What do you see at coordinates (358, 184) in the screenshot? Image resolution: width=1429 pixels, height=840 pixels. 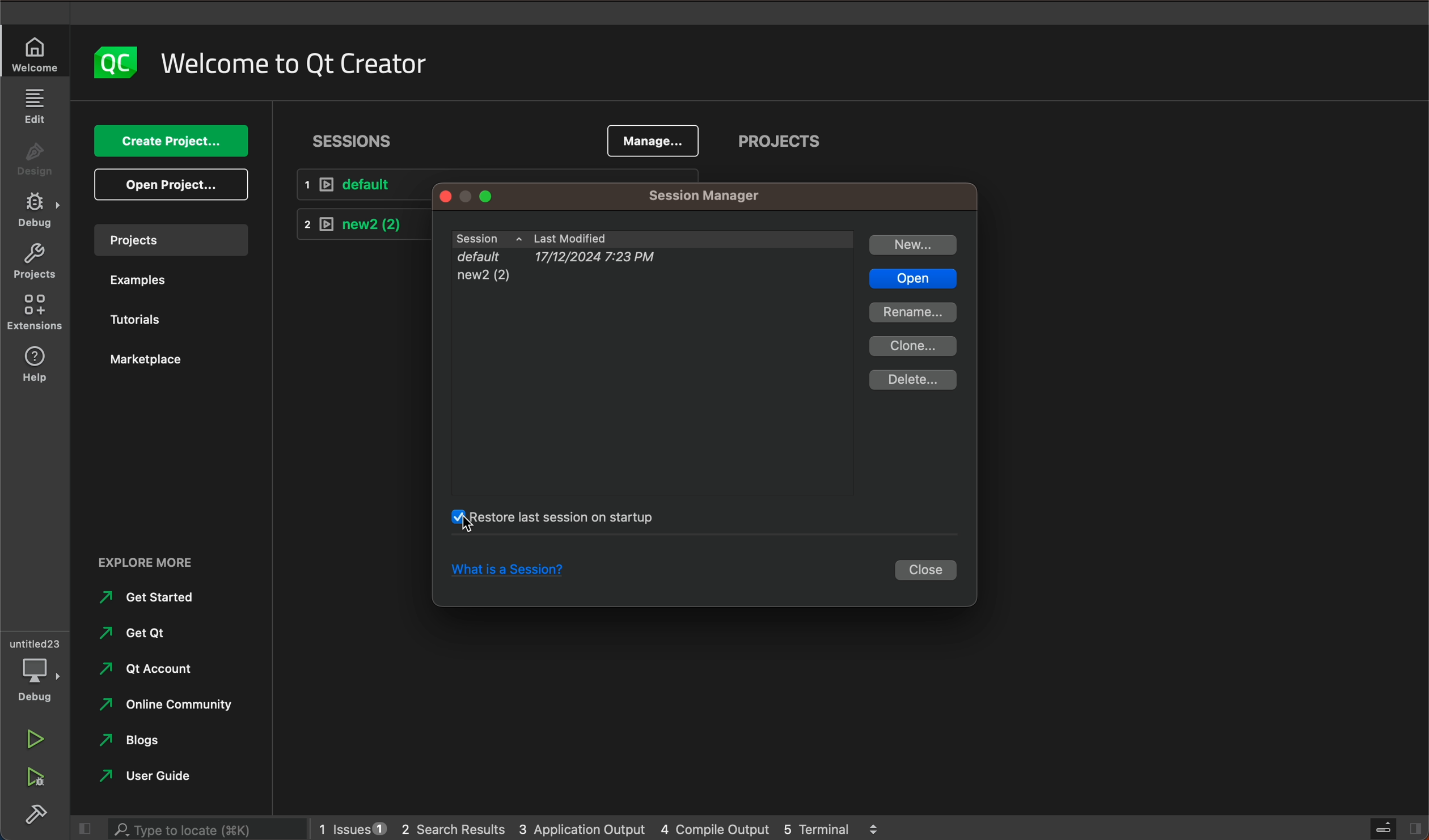 I see `default` at bounding box center [358, 184].